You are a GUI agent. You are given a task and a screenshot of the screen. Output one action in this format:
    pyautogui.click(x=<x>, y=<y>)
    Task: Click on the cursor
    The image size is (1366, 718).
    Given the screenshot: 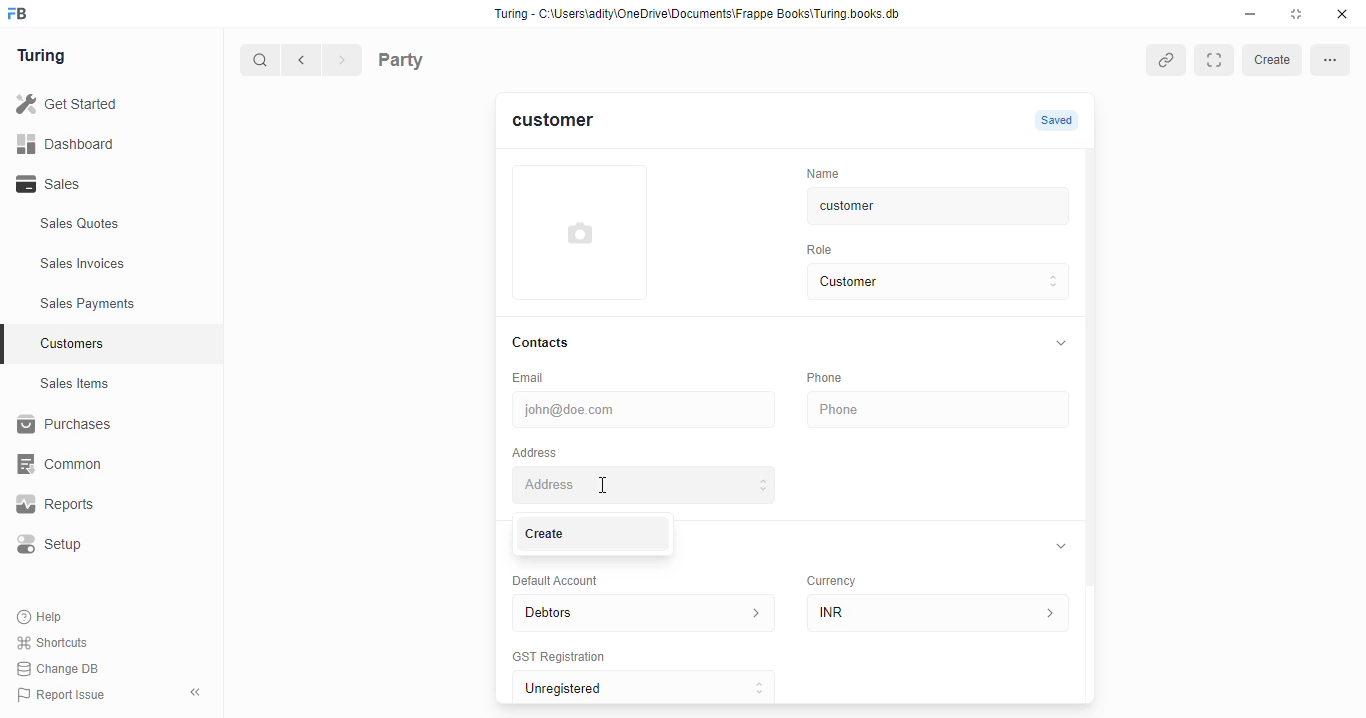 What is the action you would take?
    pyautogui.click(x=606, y=488)
    